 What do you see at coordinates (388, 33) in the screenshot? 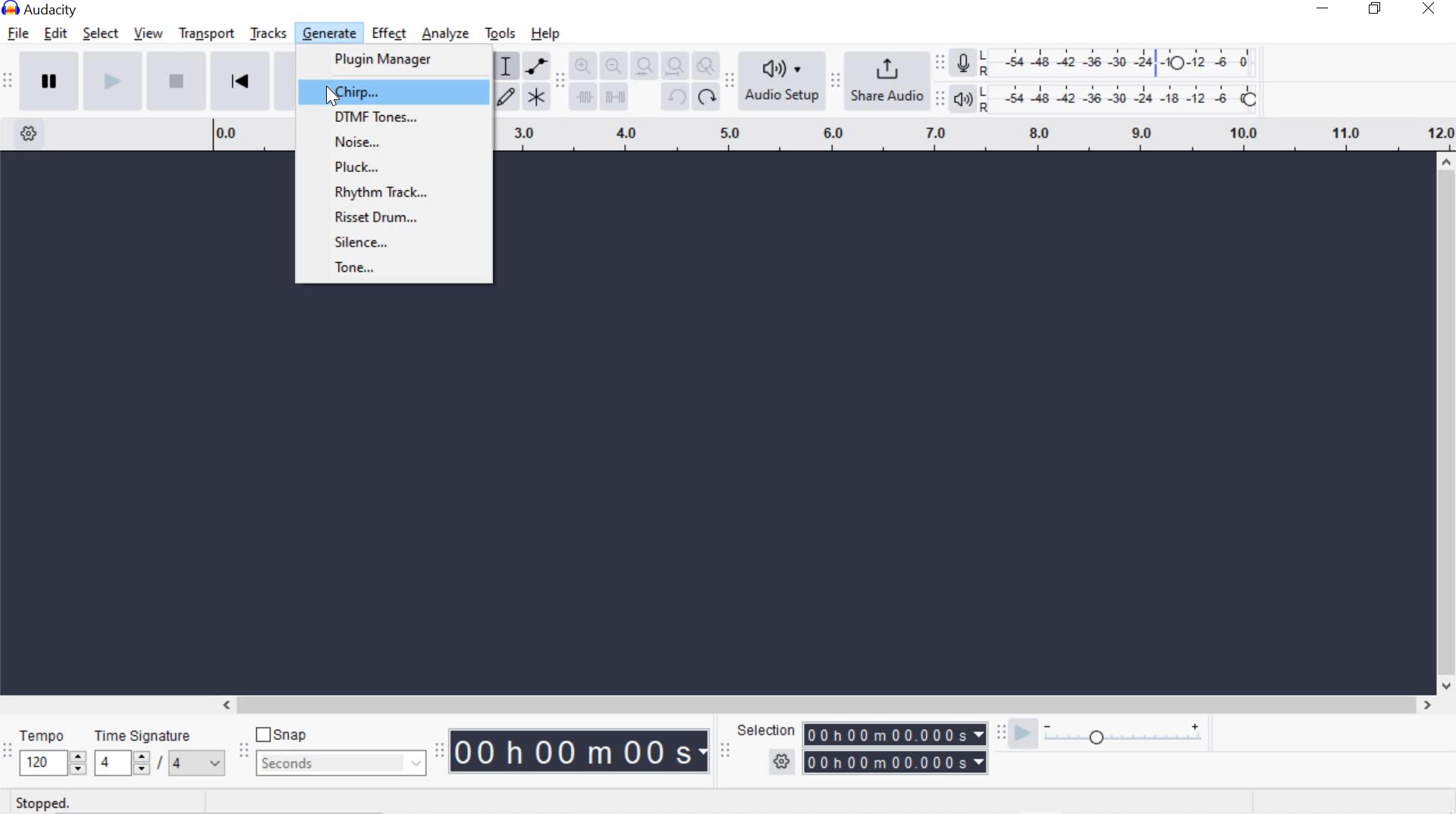
I see `effect` at bounding box center [388, 33].